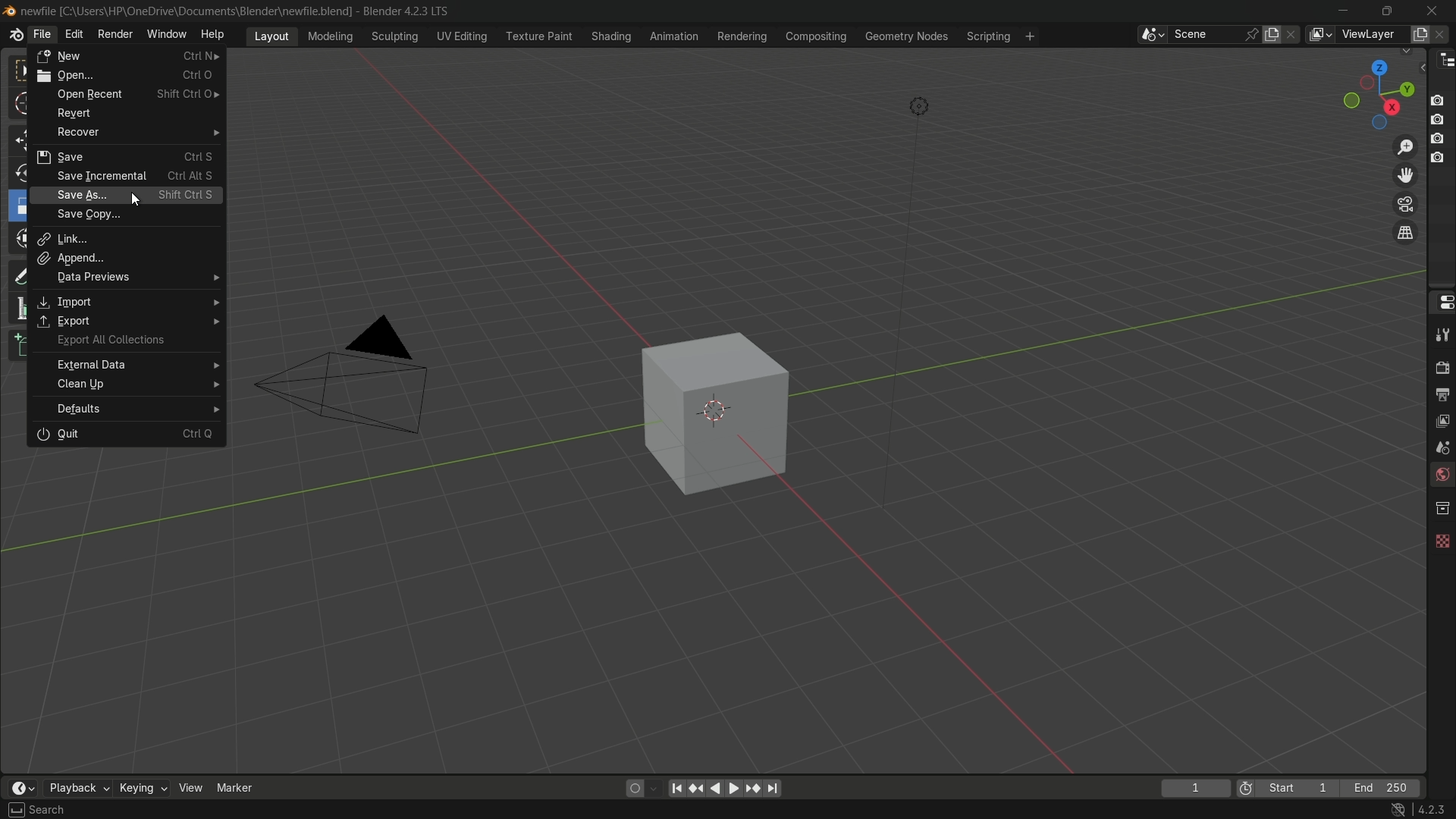 This screenshot has width=1456, height=819. What do you see at coordinates (125, 196) in the screenshot?
I see `save as` at bounding box center [125, 196].